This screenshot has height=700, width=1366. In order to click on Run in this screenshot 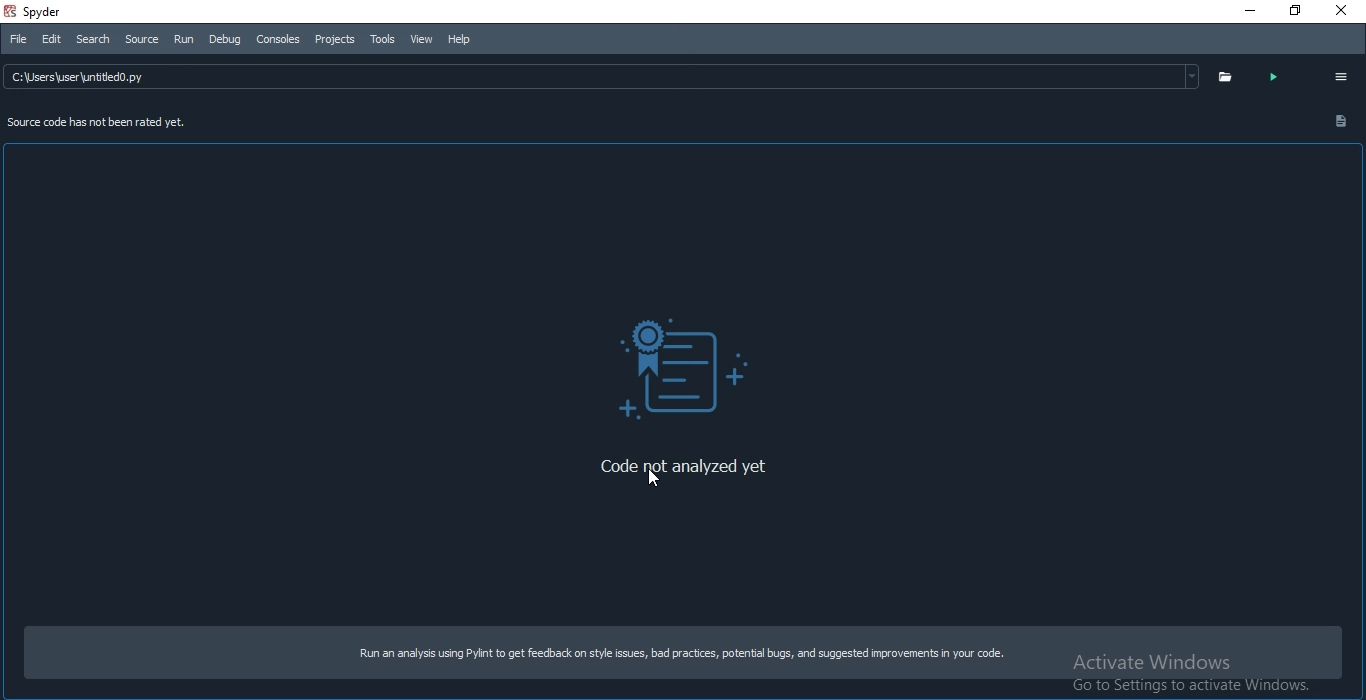, I will do `click(185, 39)`.